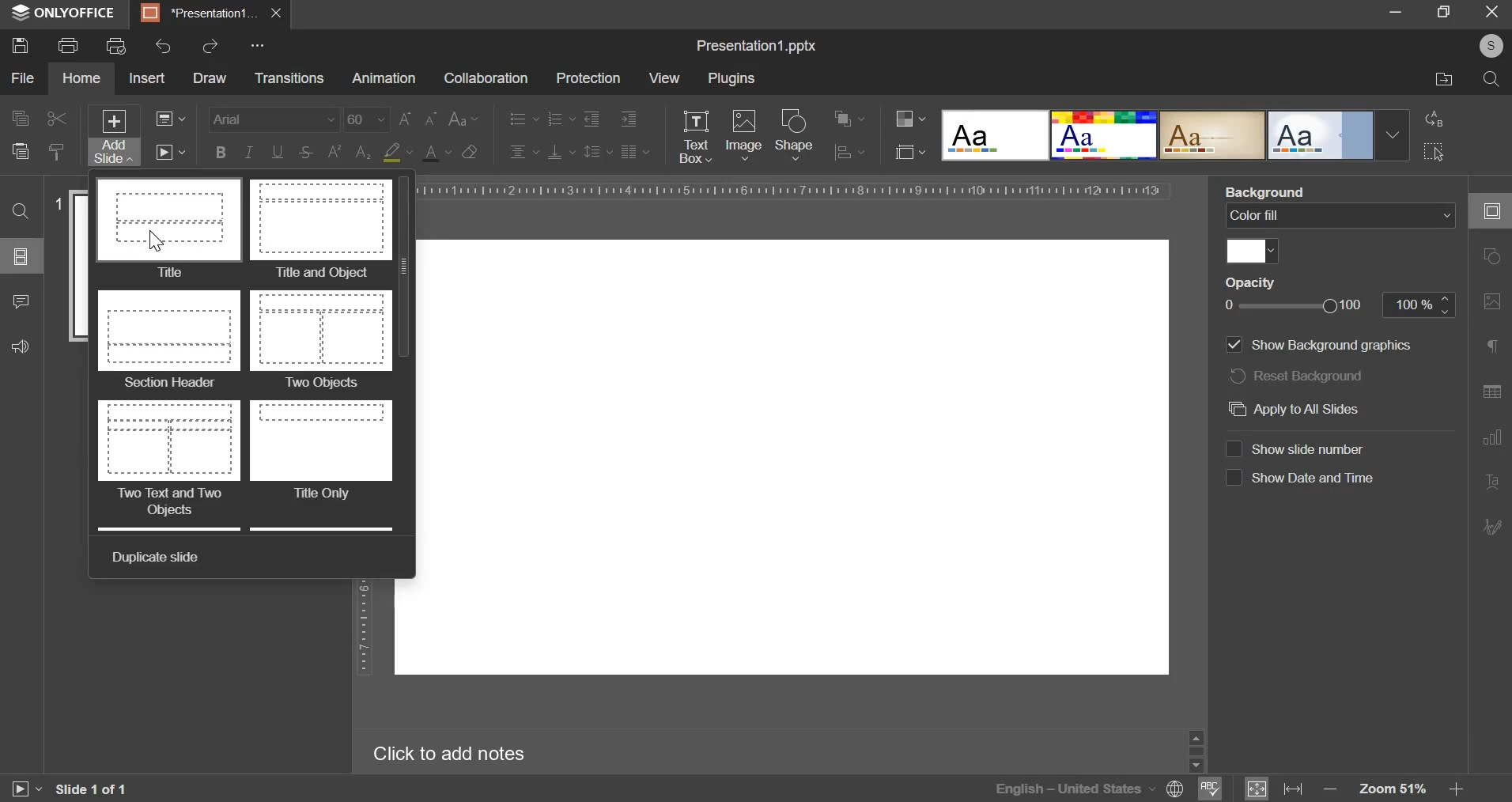 The height and width of the screenshot is (802, 1512). I want to click on shape settings, so click(1488, 257).